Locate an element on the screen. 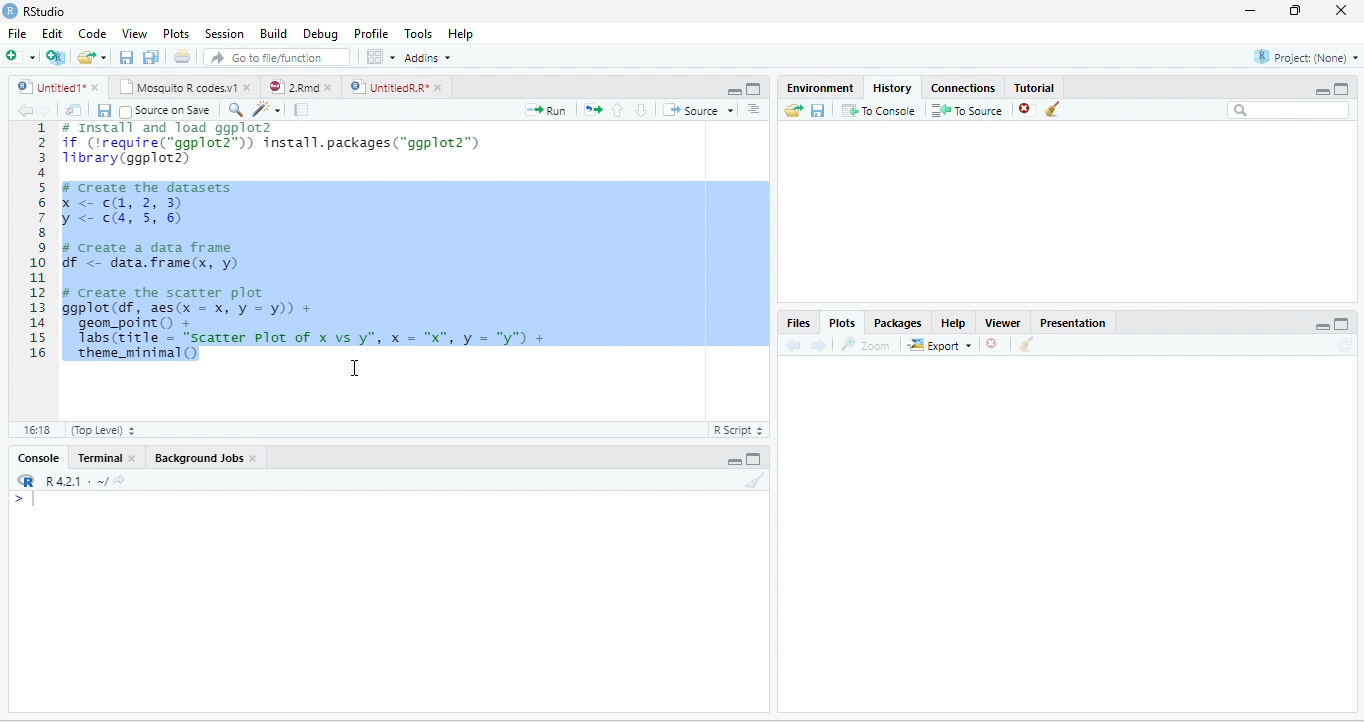 This screenshot has height=722, width=1364. Go to file/function is located at coordinates (277, 56).